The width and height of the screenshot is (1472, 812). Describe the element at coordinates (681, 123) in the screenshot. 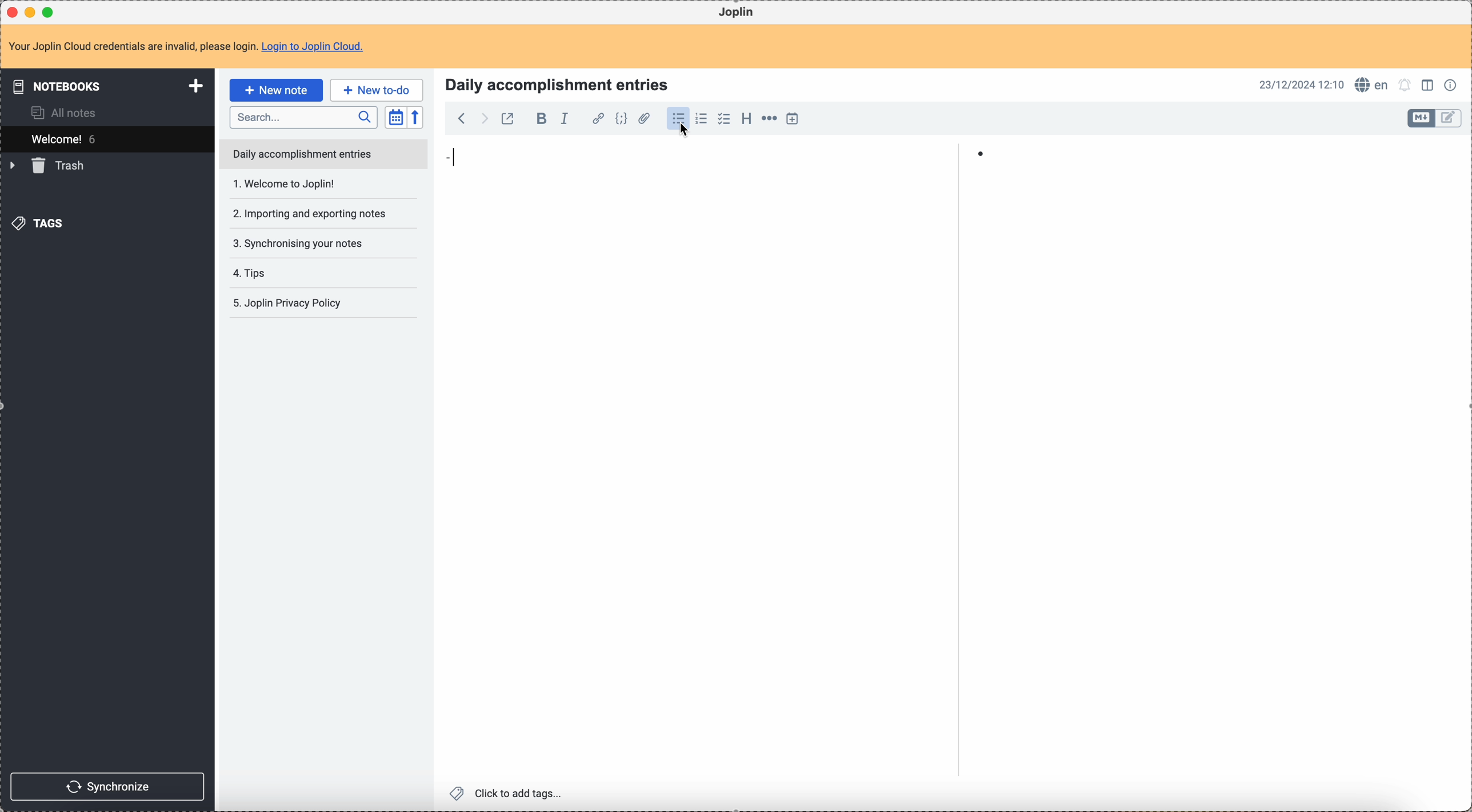

I see `click on bulleted list` at that location.